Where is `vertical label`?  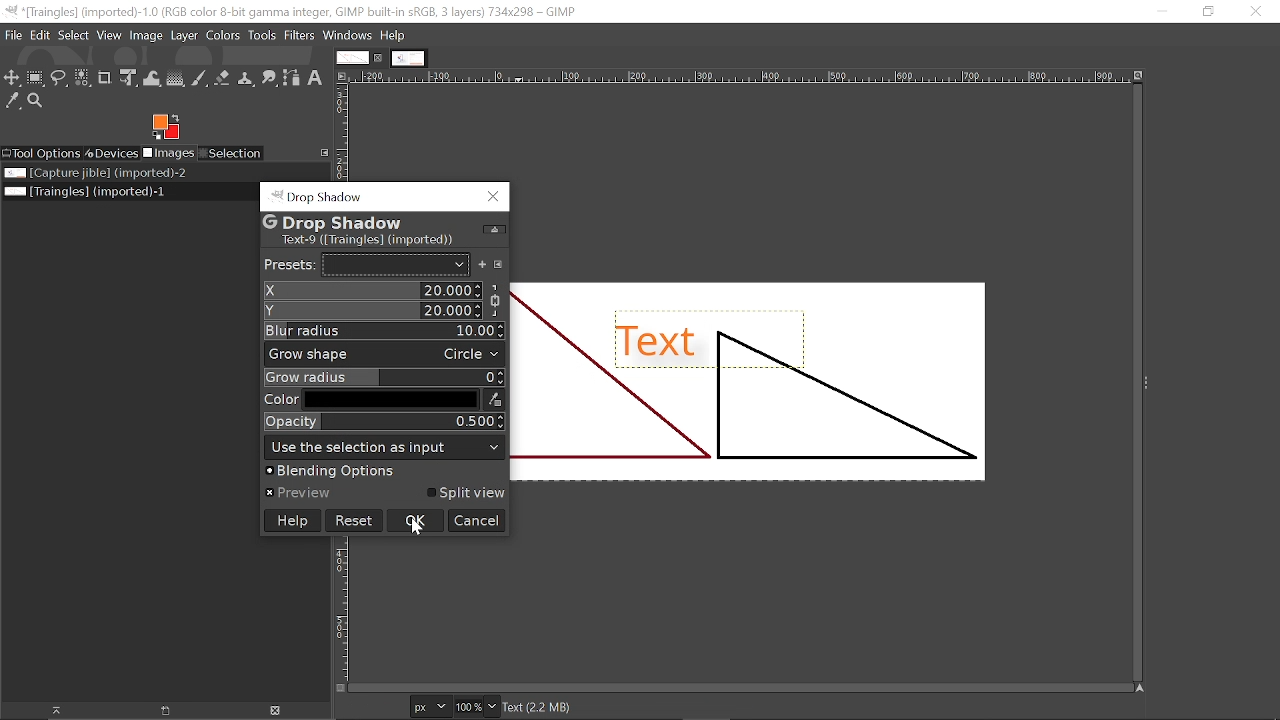
vertical label is located at coordinates (343, 621).